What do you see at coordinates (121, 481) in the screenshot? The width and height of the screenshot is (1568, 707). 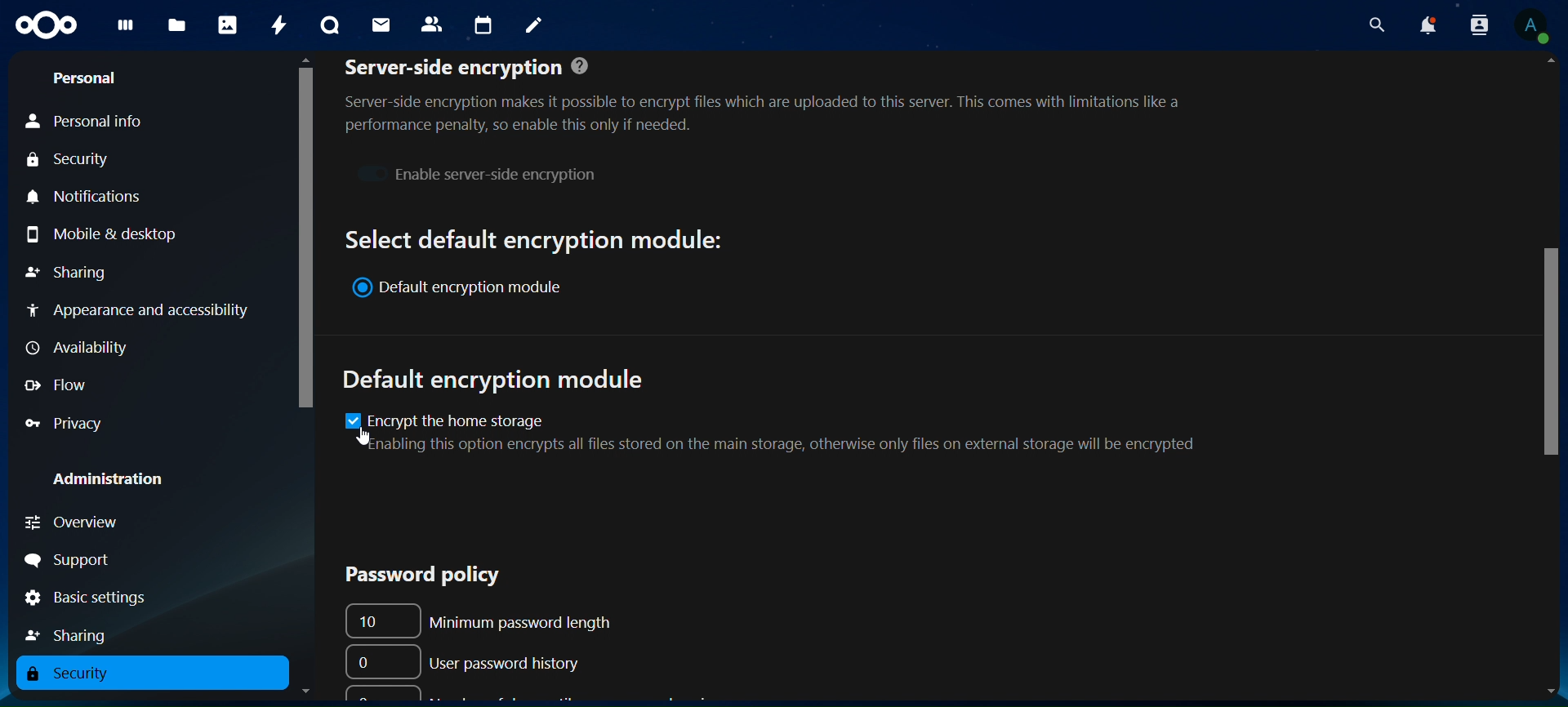 I see `administration` at bounding box center [121, 481].